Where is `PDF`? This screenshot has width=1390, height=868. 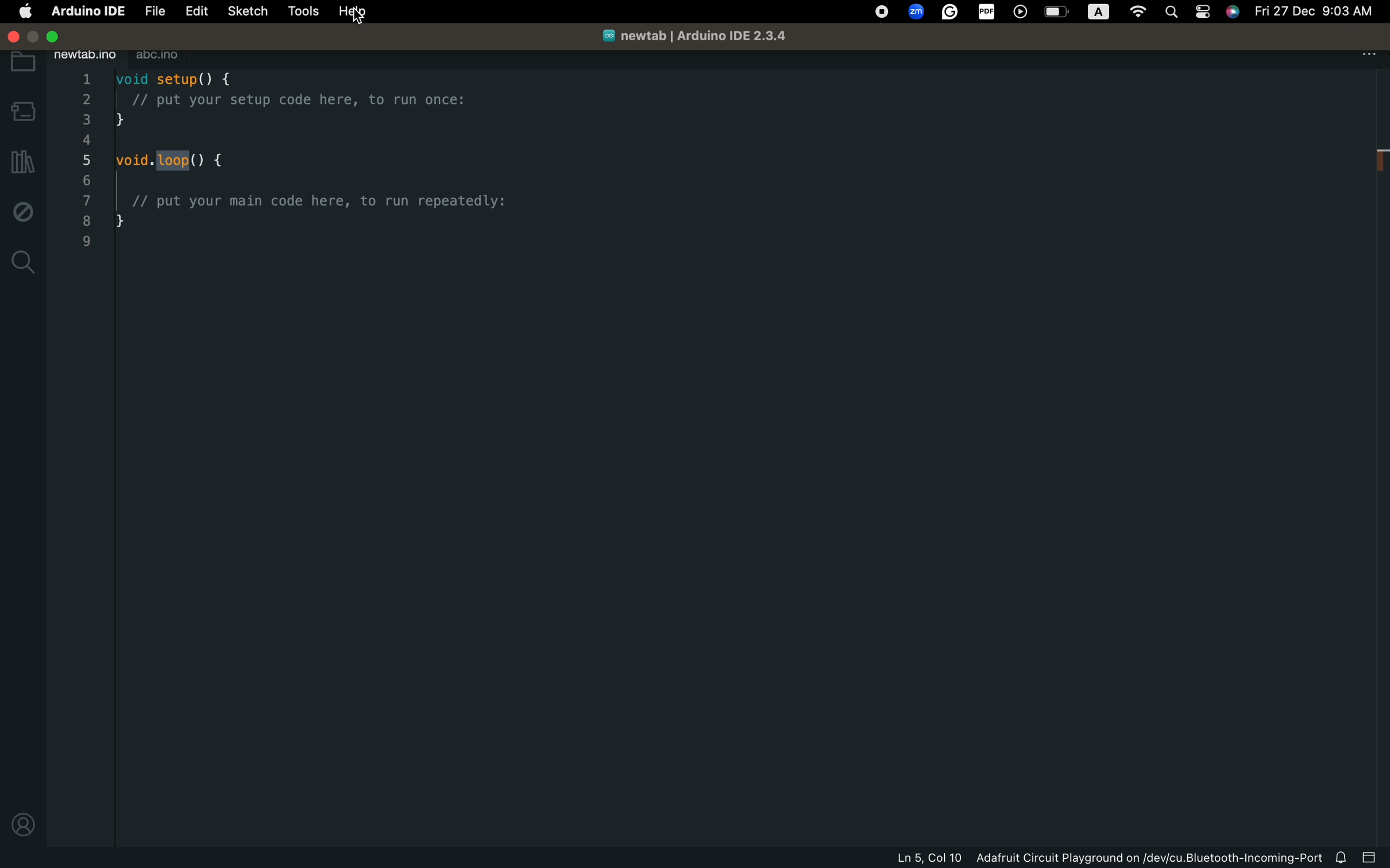
PDF is located at coordinates (983, 10).